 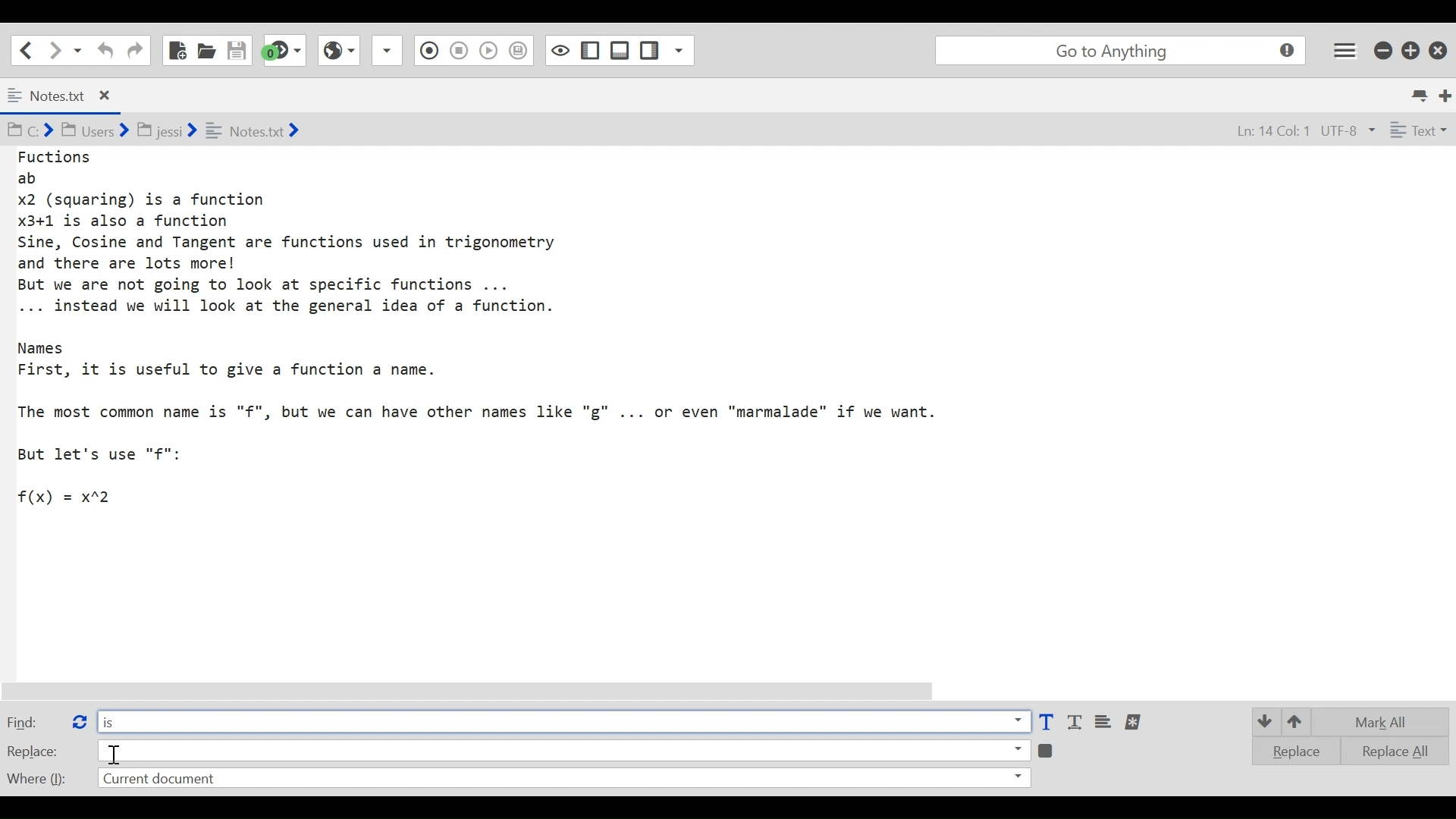 What do you see at coordinates (1411, 49) in the screenshot?
I see `Restore` at bounding box center [1411, 49].